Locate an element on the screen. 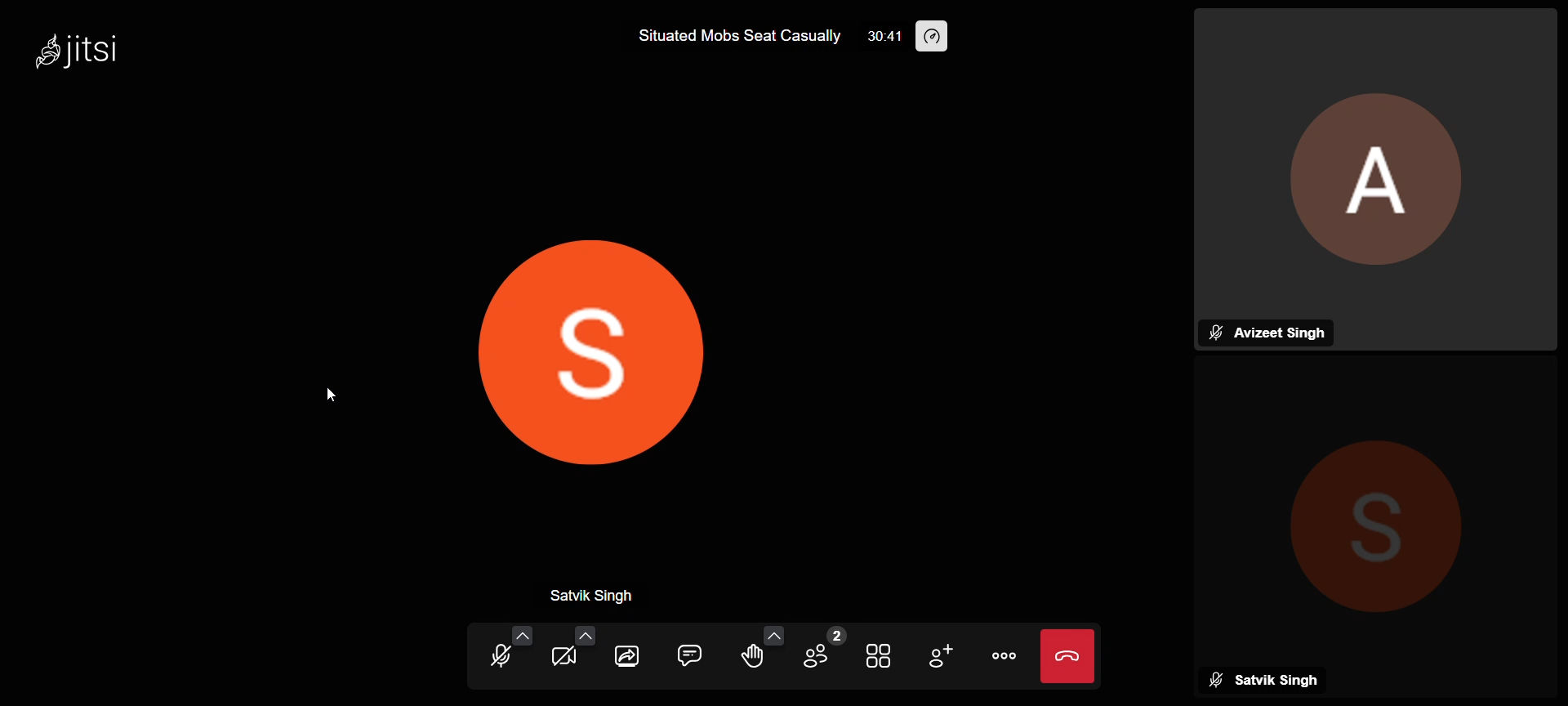 This screenshot has width=1568, height=706. satvik singh is located at coordinates (1268, 678).